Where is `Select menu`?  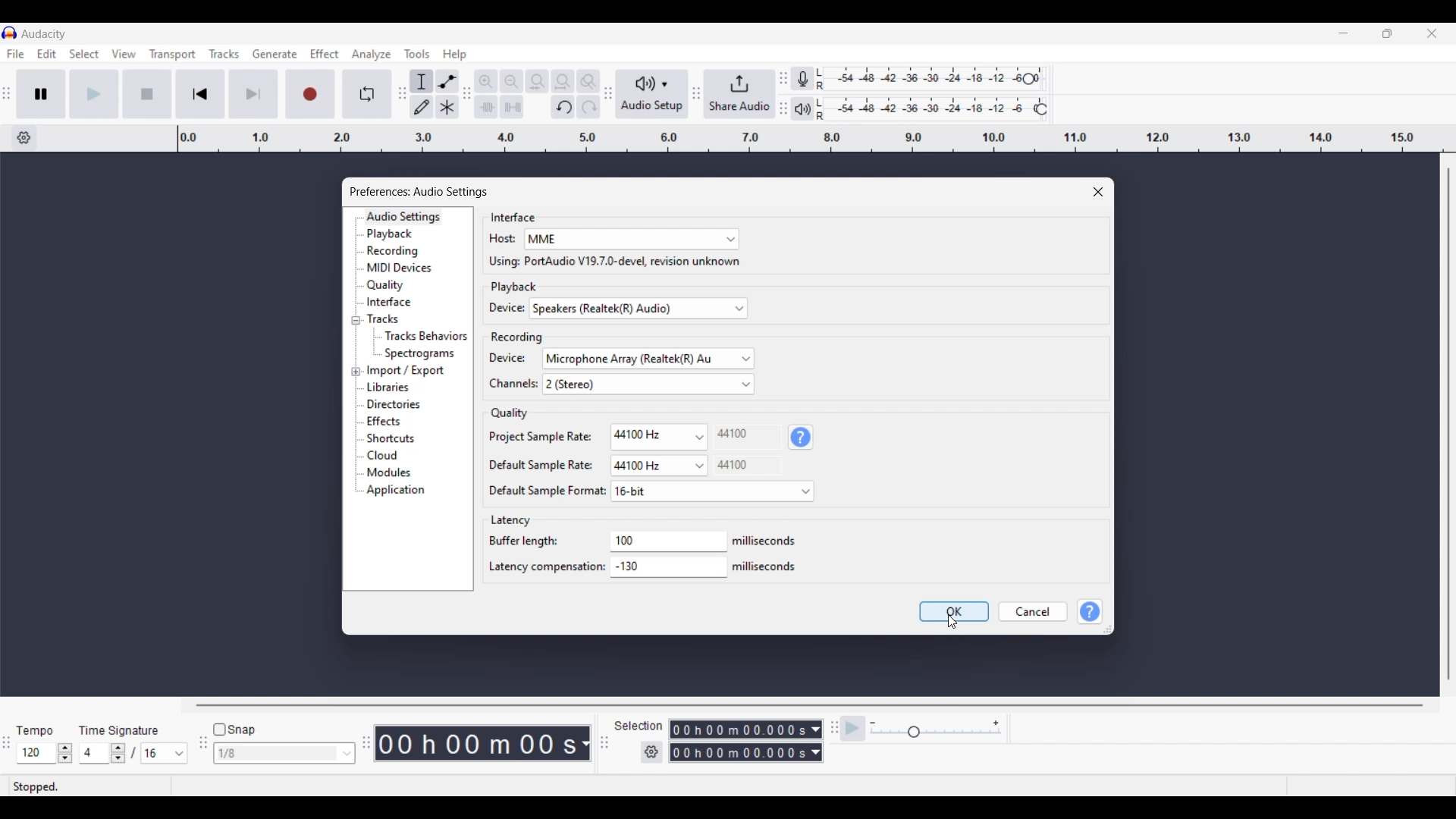 Select menu is located at coordinates (84, 55).